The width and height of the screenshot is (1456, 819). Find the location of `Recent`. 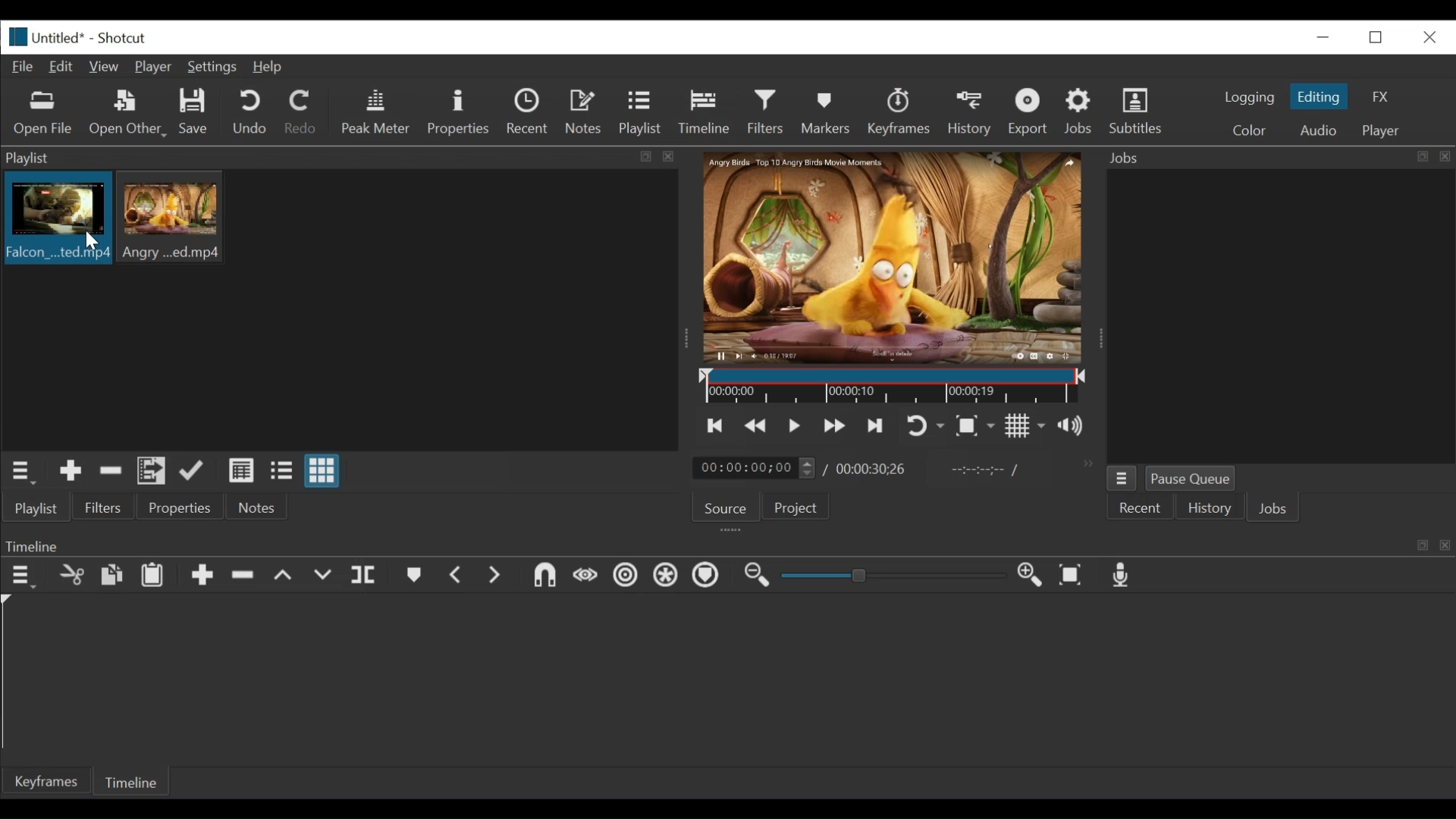

Recent is located at coordinates (1141, 509).